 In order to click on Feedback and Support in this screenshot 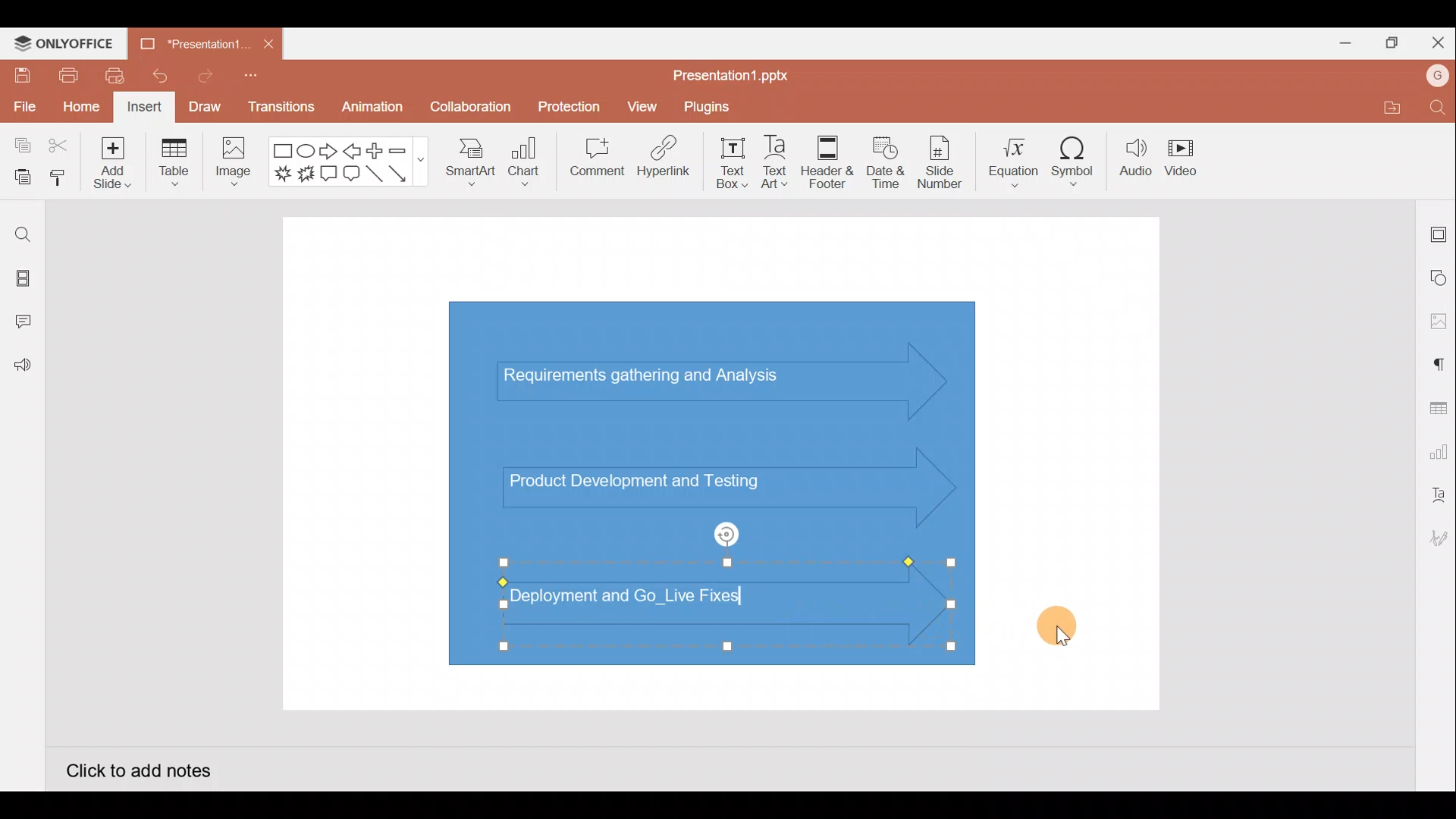, I will do `click(22, 369)`.